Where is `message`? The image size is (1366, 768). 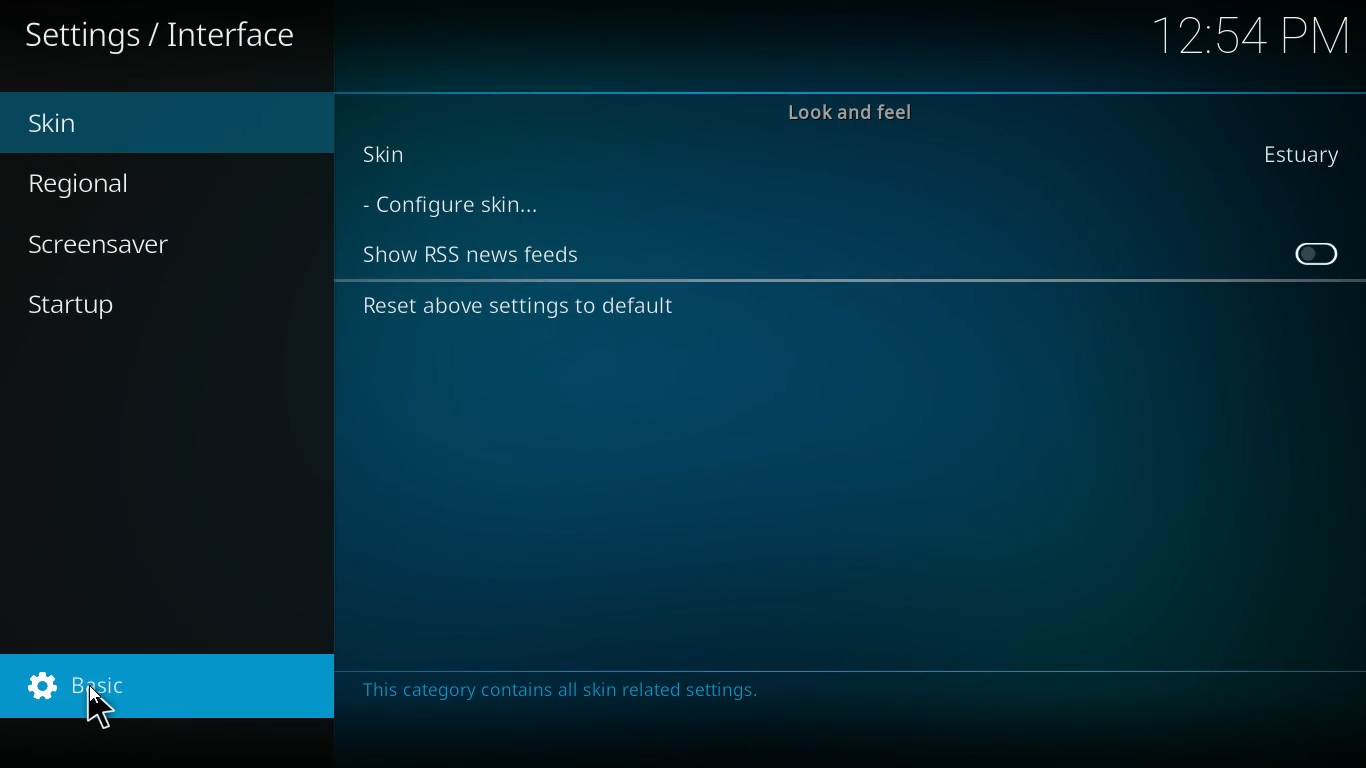 message is located at coordinates (573, 686).